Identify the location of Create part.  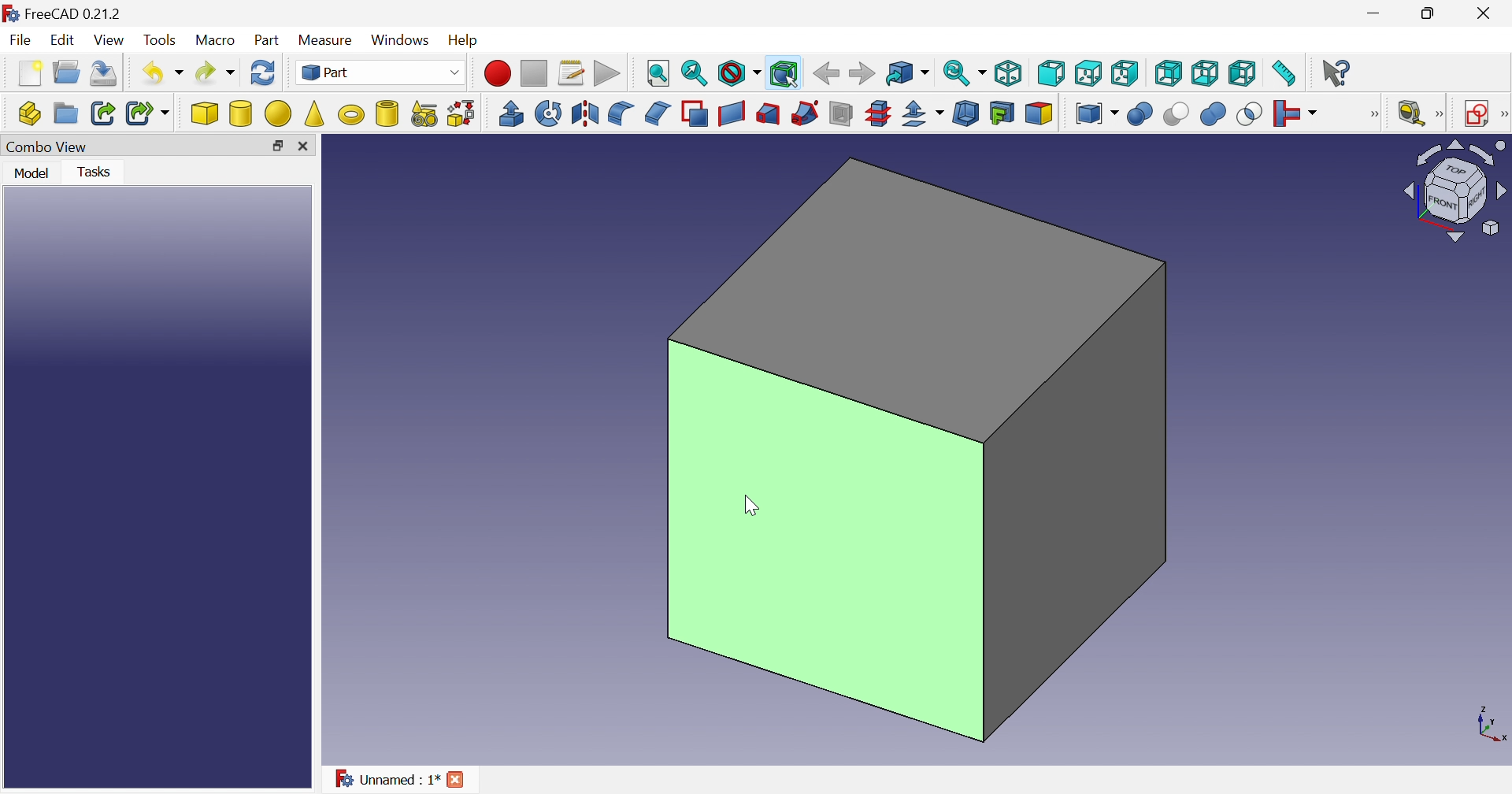
(29, 116).